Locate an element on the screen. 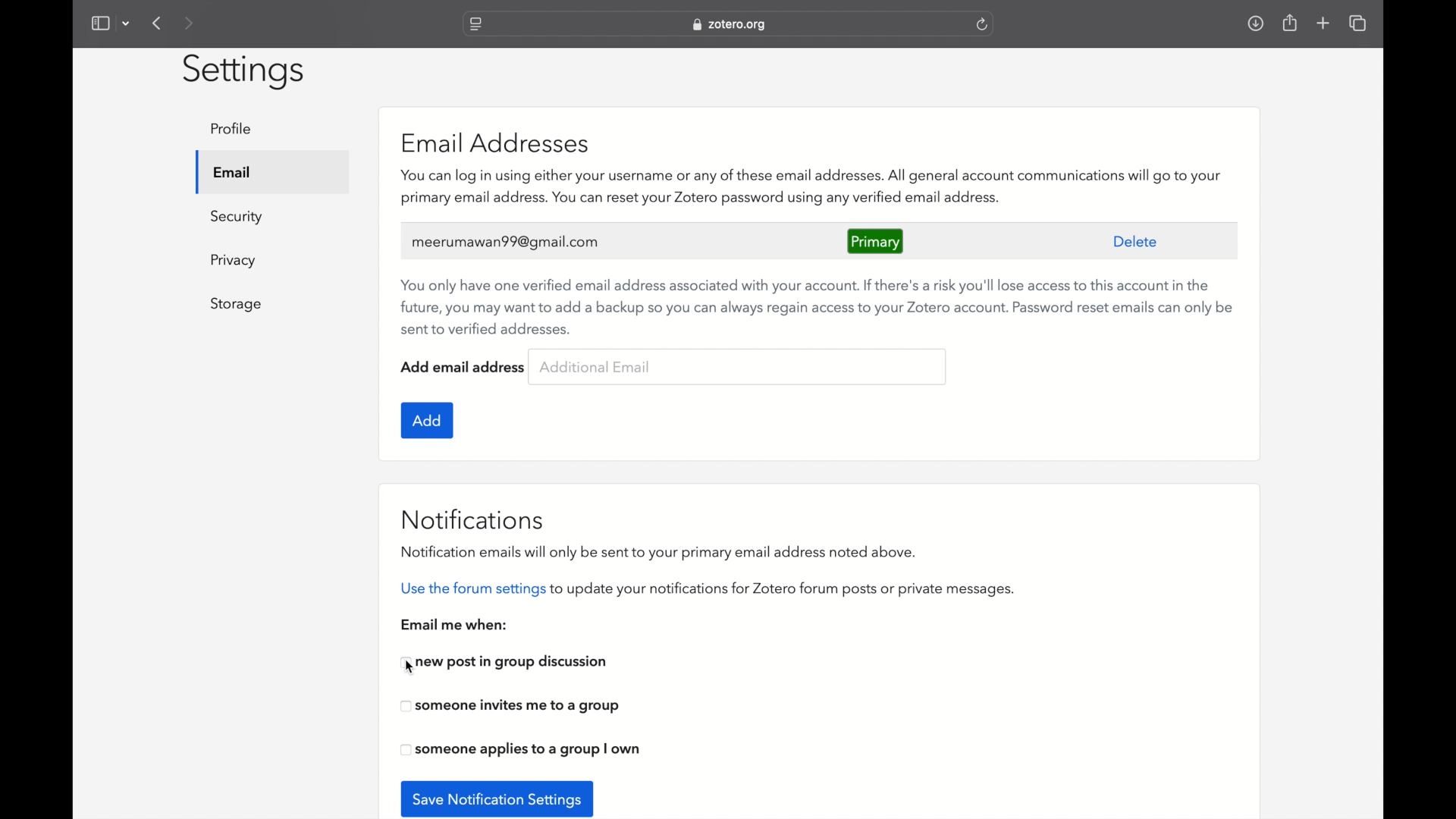 Image resolution: width=1456 pixels, height=819 pixels. settings is located at coordinates (244, 71).